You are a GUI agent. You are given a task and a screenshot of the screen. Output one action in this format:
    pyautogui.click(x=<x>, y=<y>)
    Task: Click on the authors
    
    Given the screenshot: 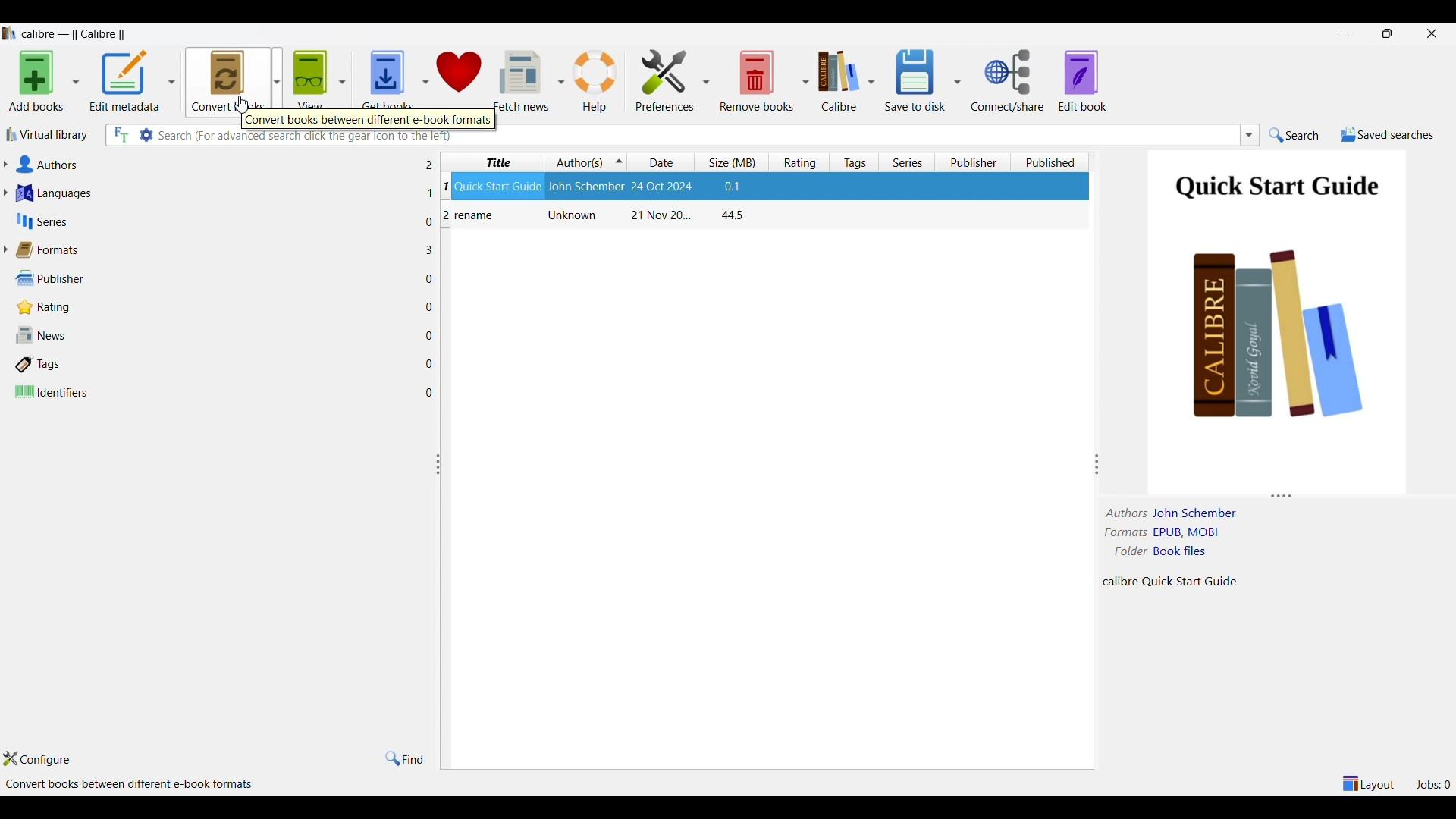 What is the action you would take?
    pyautogui.click(x=1127, y=513)
    